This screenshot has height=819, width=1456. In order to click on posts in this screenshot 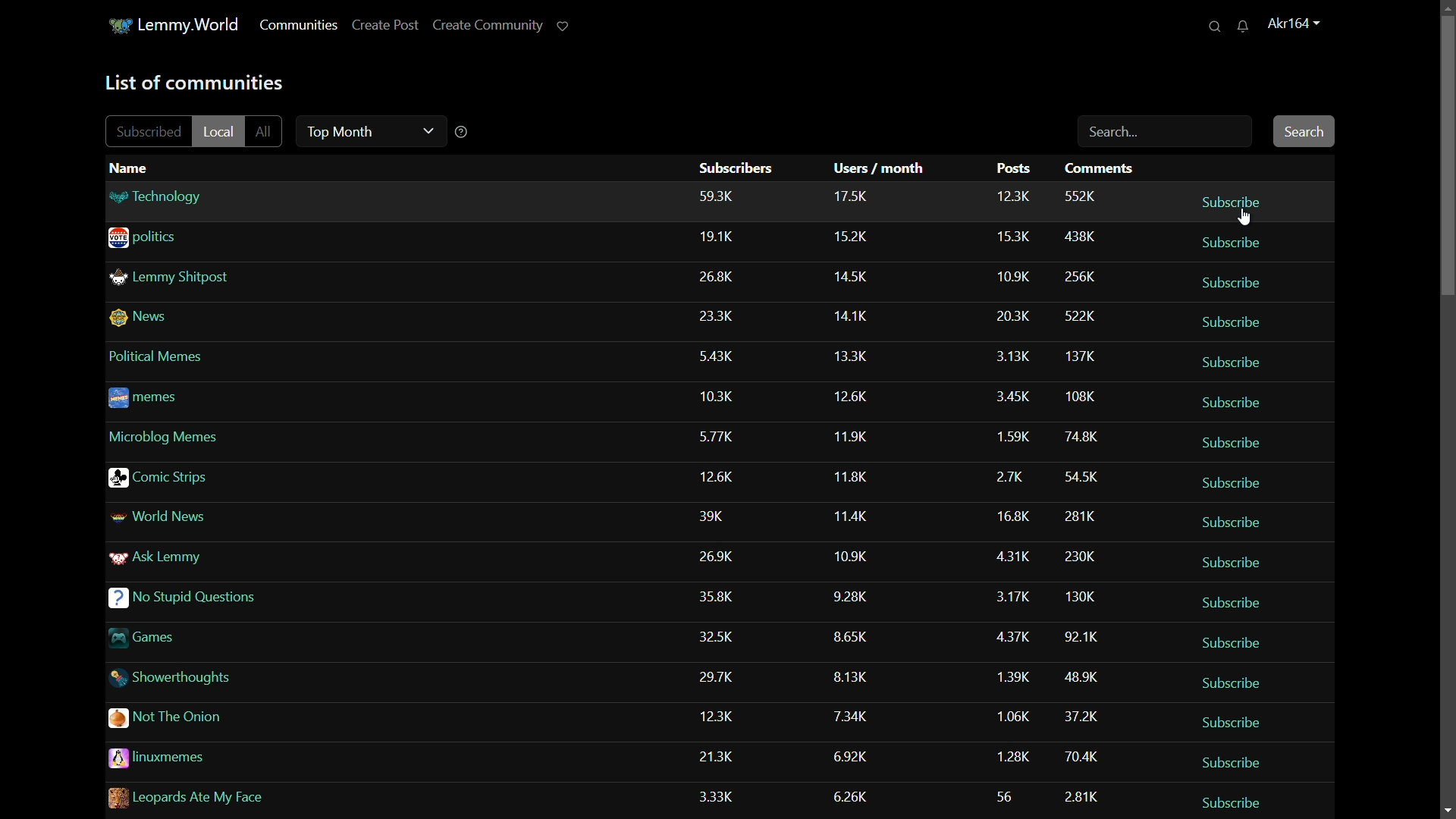, I will do `click(1012, 635)`.